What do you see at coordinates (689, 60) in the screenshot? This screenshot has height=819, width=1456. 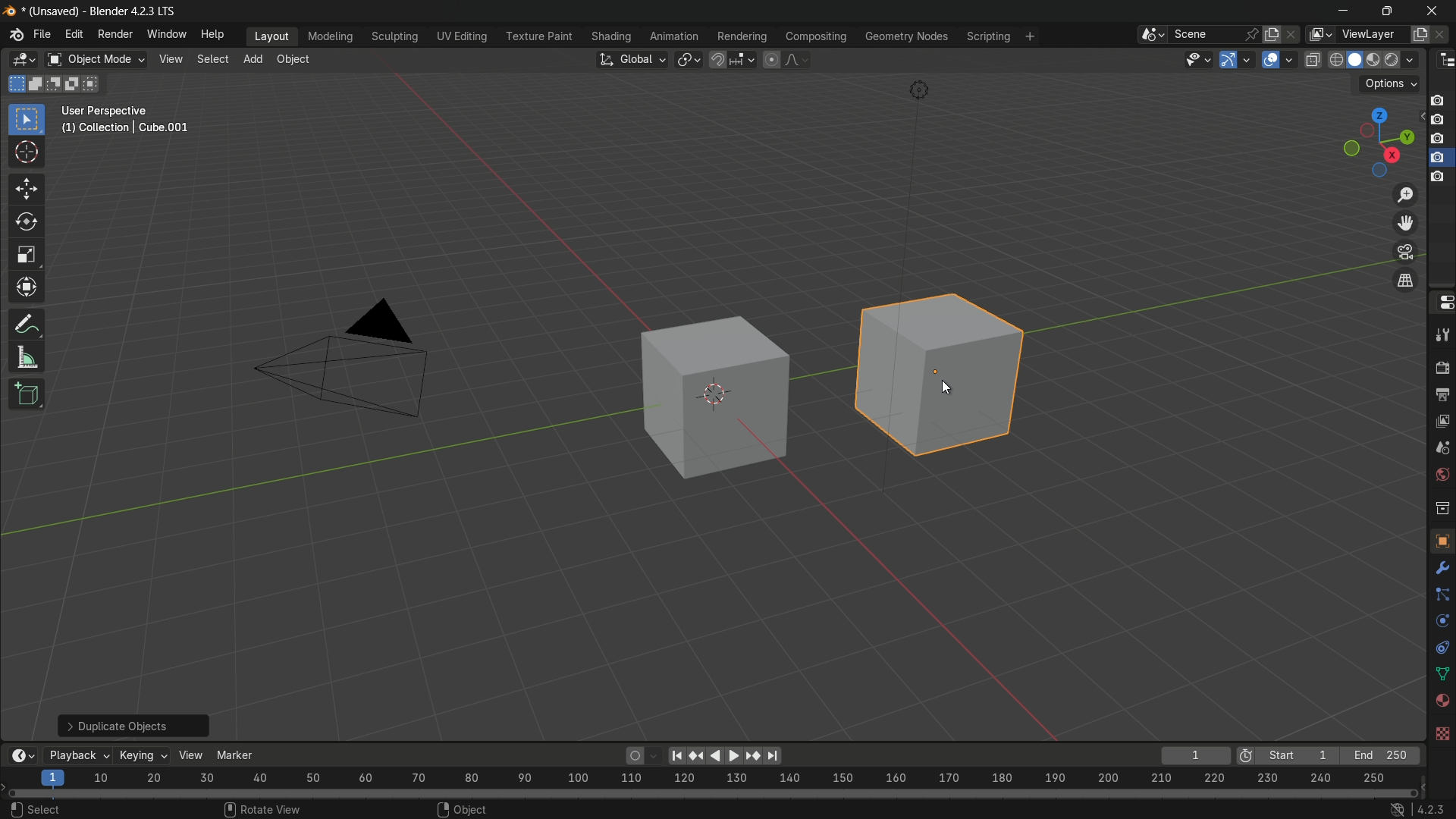 I see `transform pivot point` at bounding box center [689, 60].